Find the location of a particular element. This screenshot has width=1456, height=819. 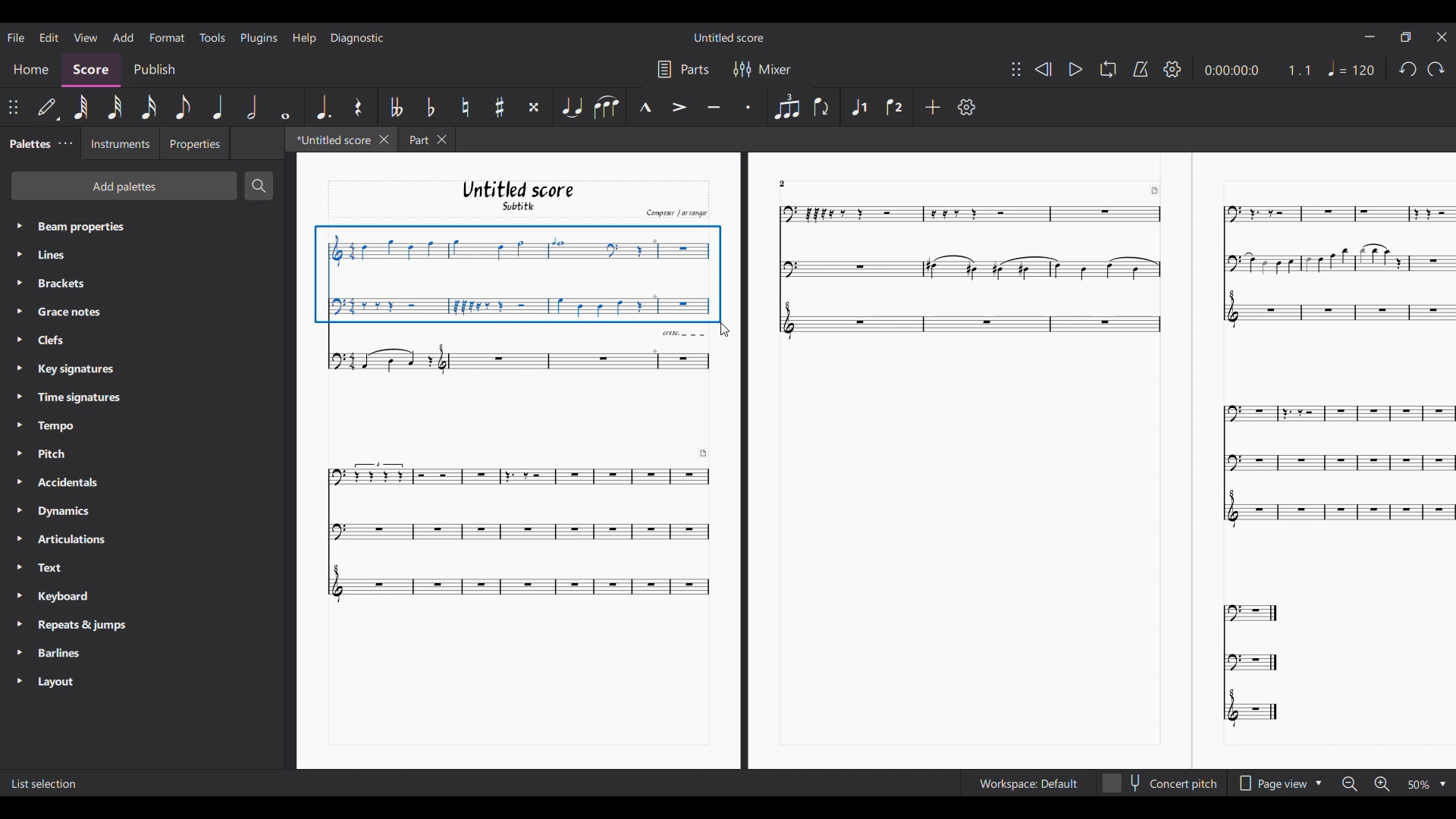

Maximize is located at coordinates (1406, 39).